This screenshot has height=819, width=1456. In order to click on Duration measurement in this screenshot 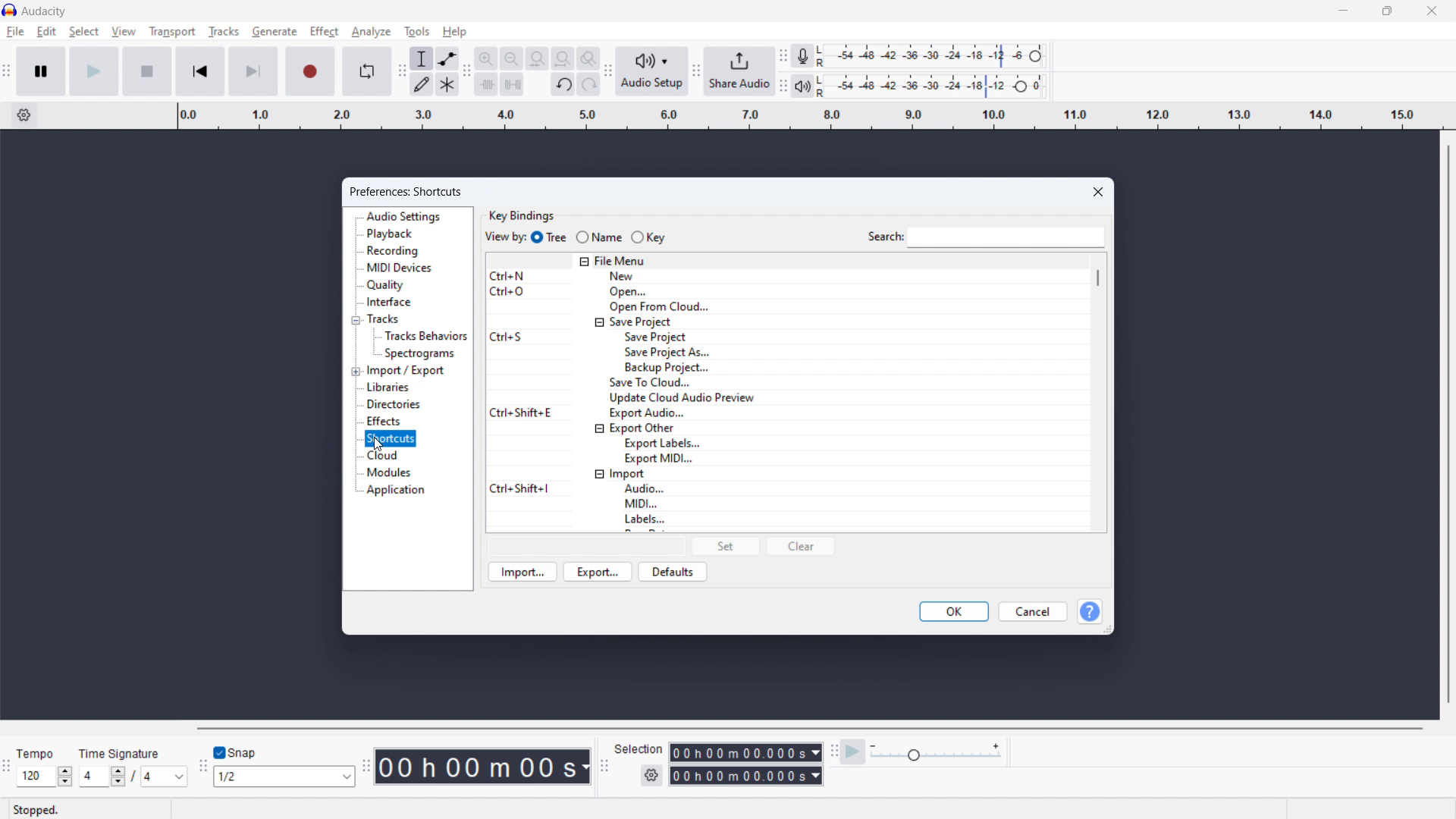, I will do `click(586, 767)`.